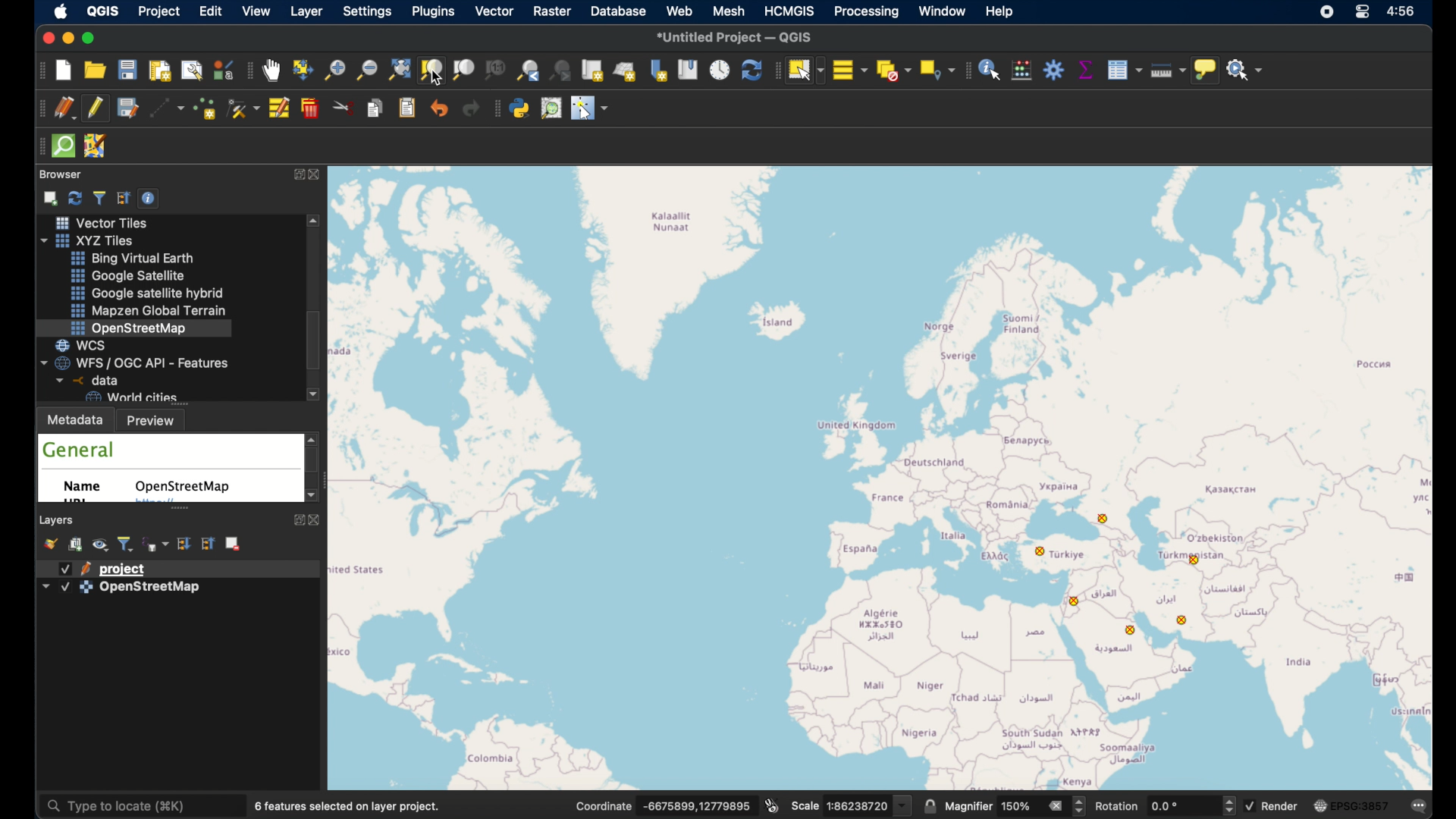 Image resolution: width=1456 pixels, height=819 pixels. I want to click on digitizing toolbar, so click(39, 108).